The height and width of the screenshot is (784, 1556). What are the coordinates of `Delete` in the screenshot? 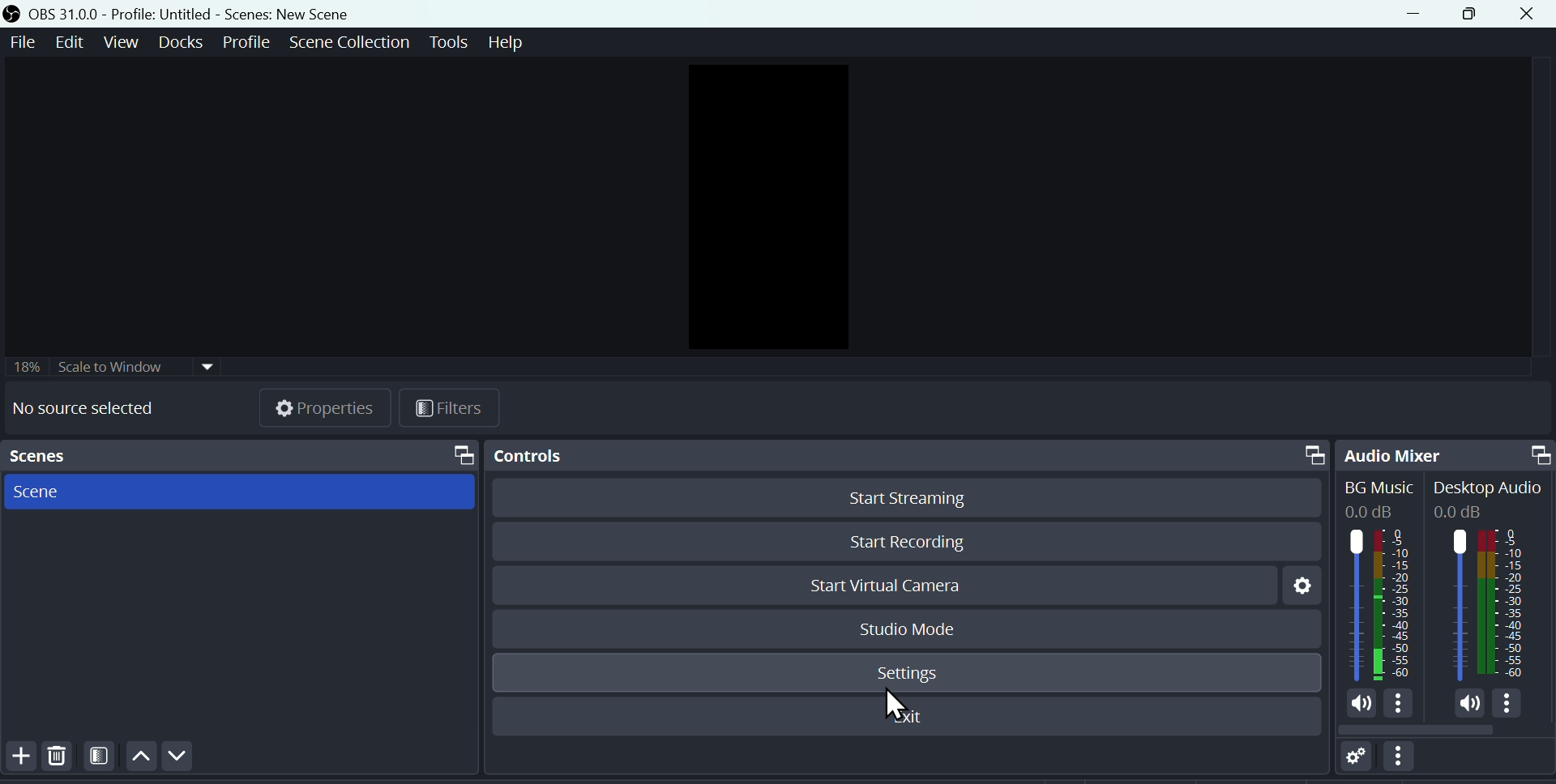 It's located at (64, 762).